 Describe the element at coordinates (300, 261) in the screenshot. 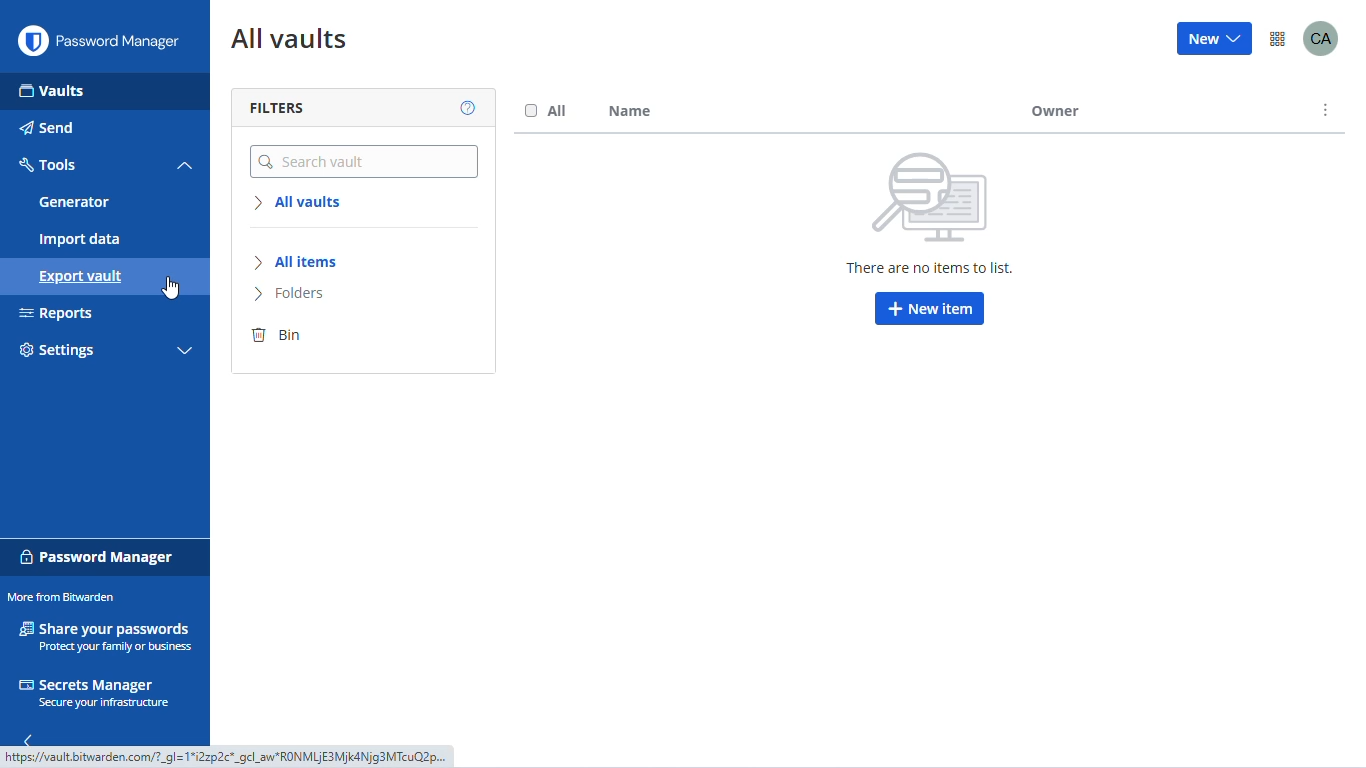

I see `all items` at that location.